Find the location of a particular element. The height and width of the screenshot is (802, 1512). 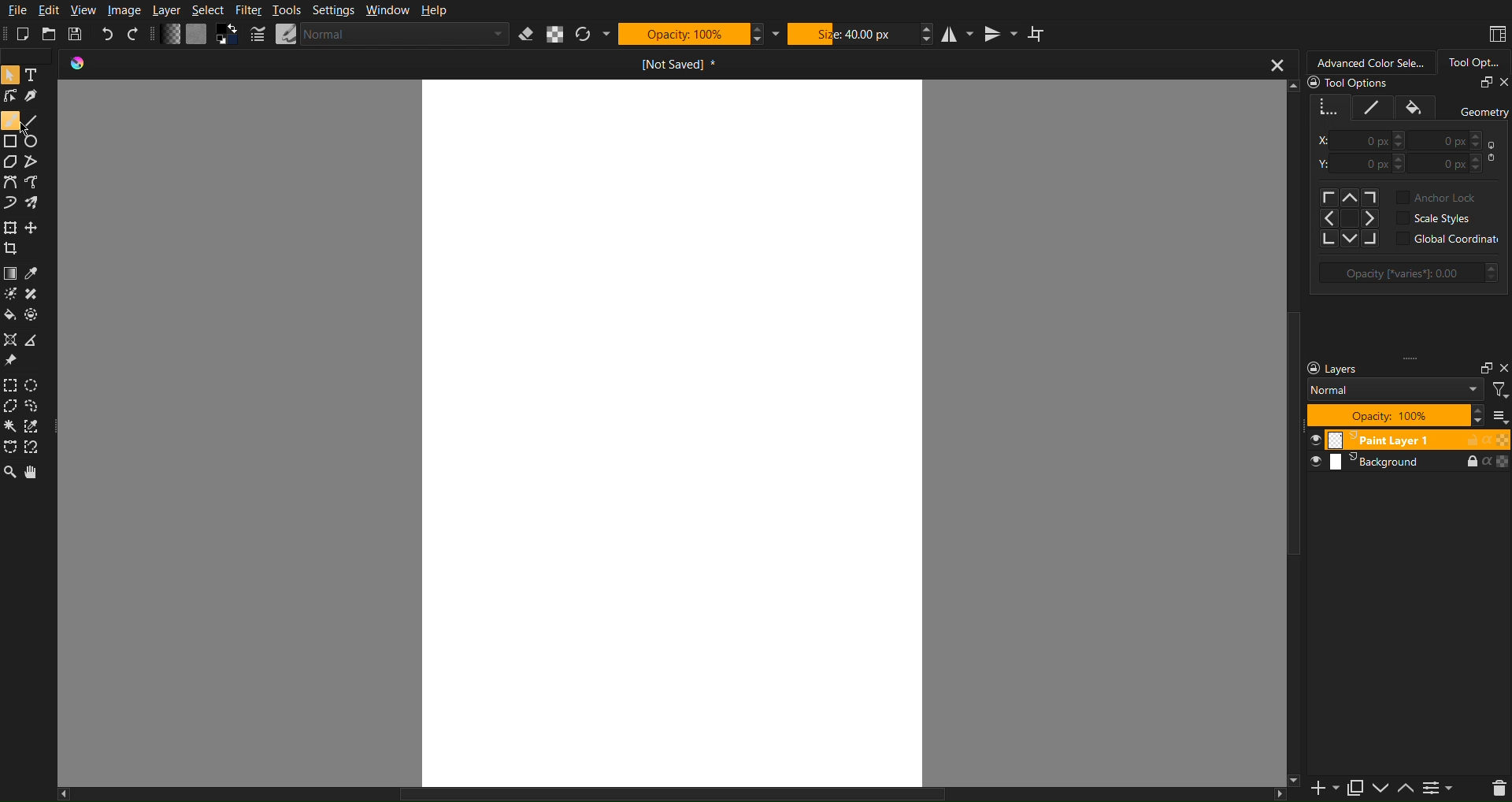

Free Move is located at coordinates (35, 227).